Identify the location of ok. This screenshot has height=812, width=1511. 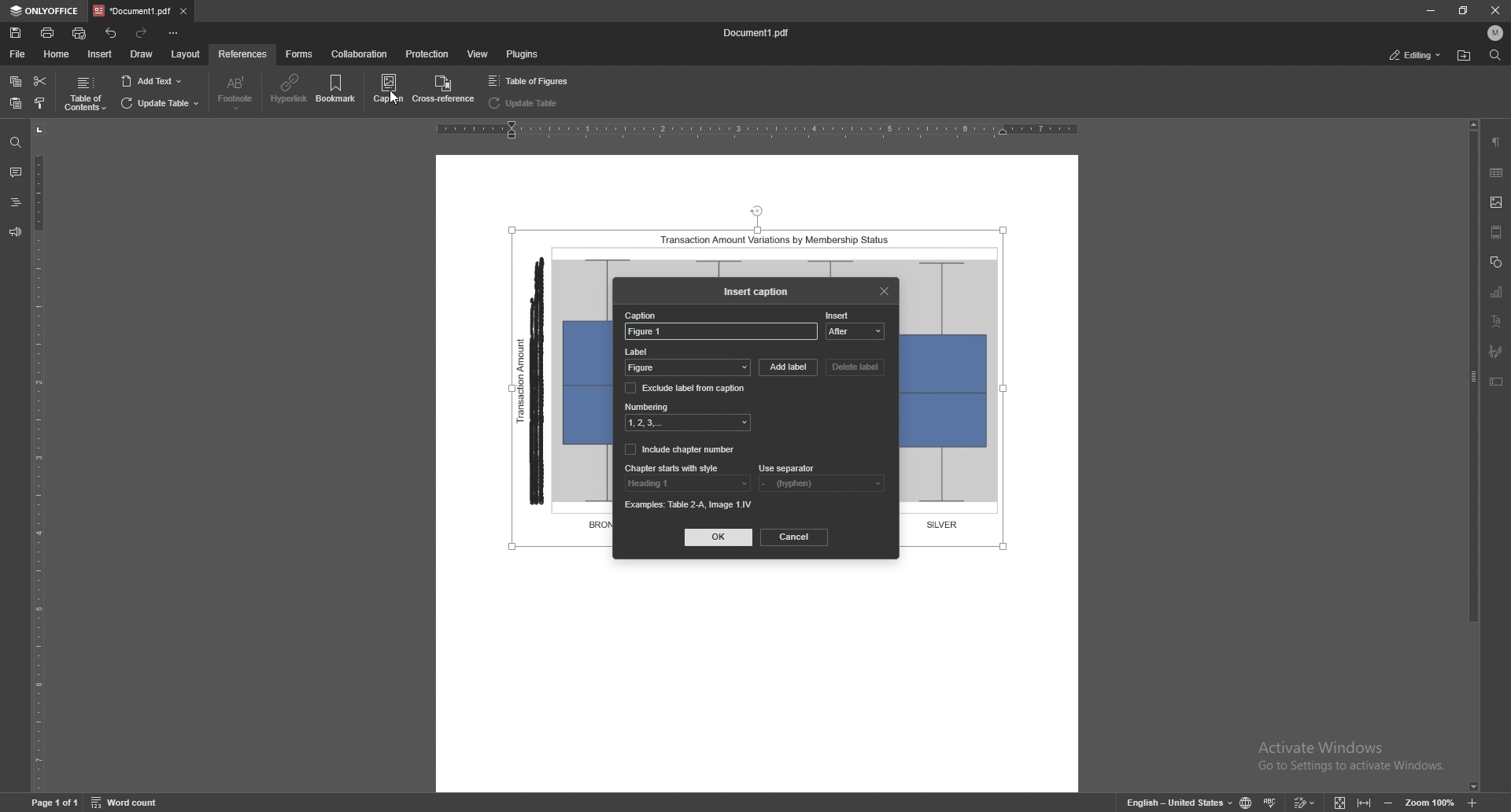
(719, 537).